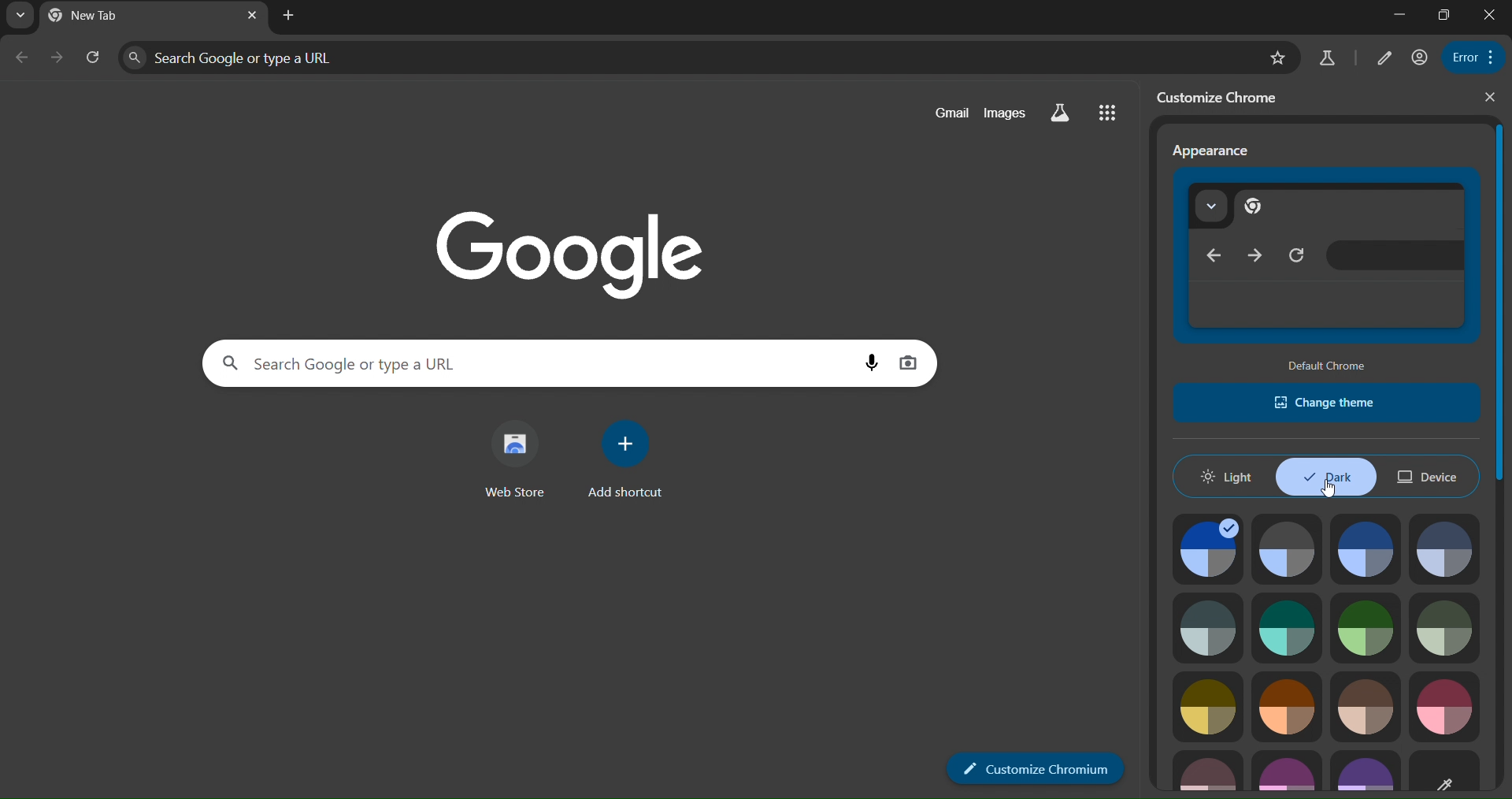 The height and width of the screenshot is (799, 1512). What do you see at coordinates (88, 14) in the screenshot?
I see `current tab` at bounding box center [88, 14].